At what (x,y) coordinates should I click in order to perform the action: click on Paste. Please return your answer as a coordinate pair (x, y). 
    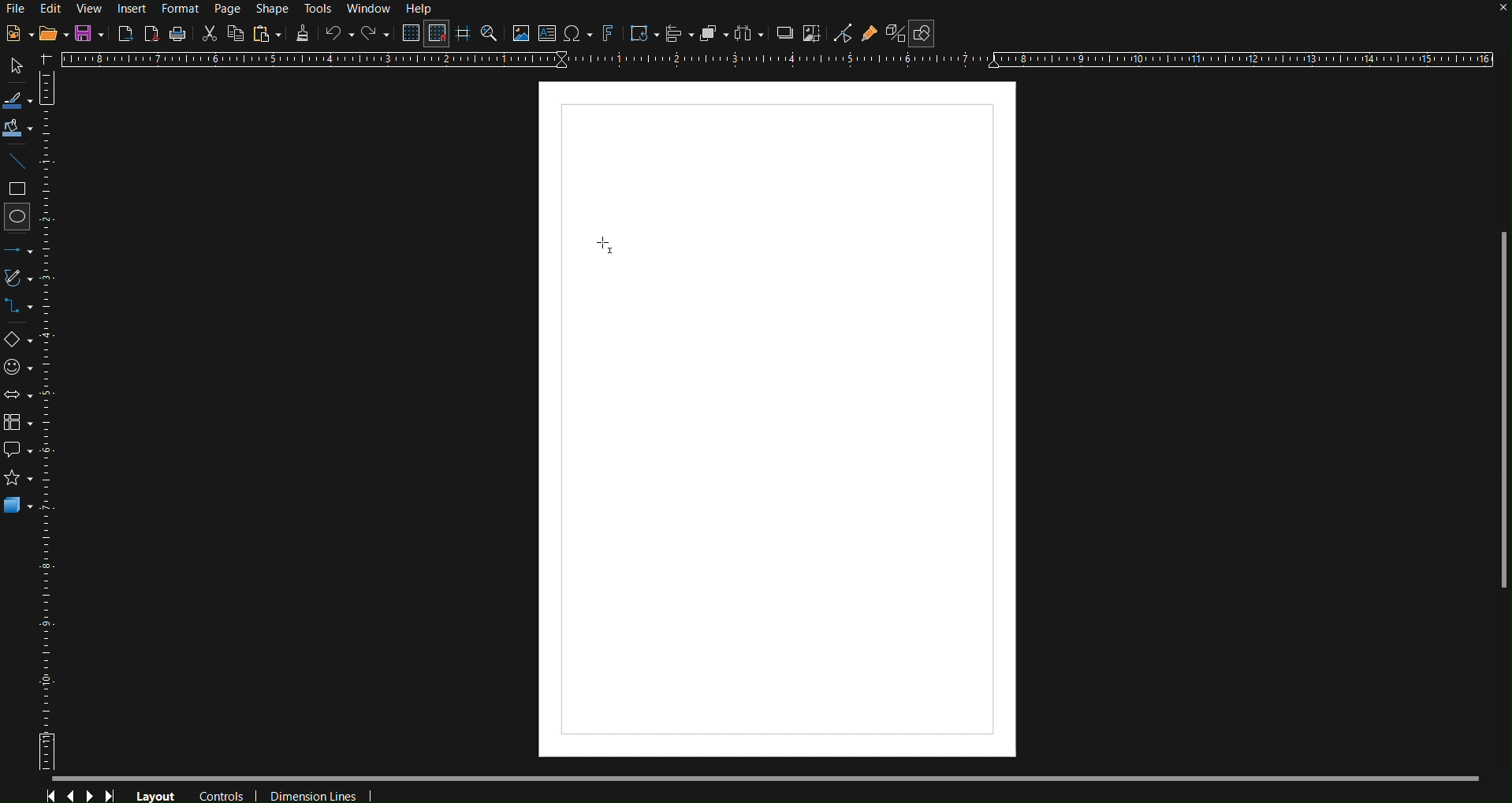
    Looking at the image, I should click on (266, 34).